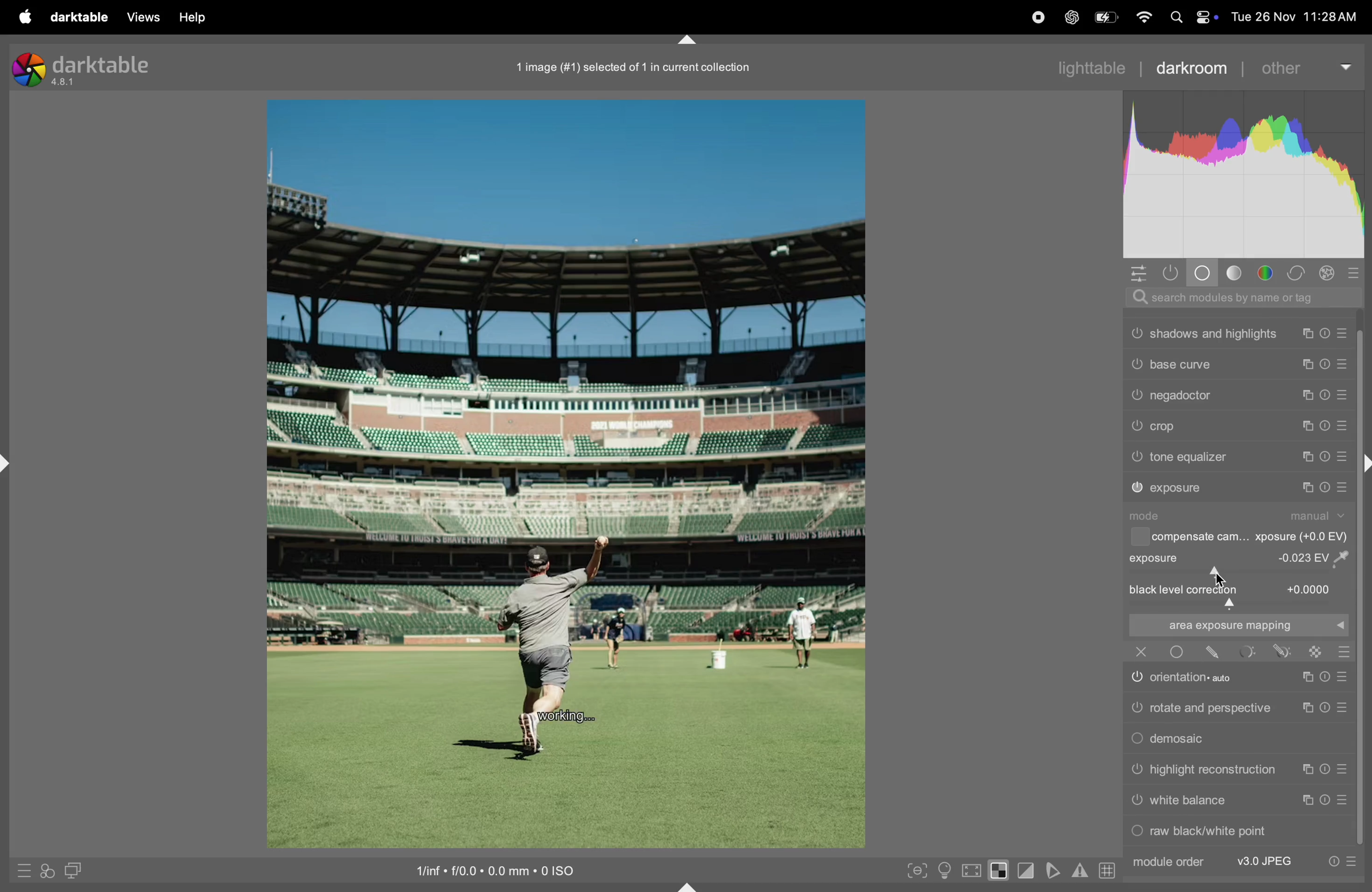  I want to click on reset Preset, so click(1324, 677).